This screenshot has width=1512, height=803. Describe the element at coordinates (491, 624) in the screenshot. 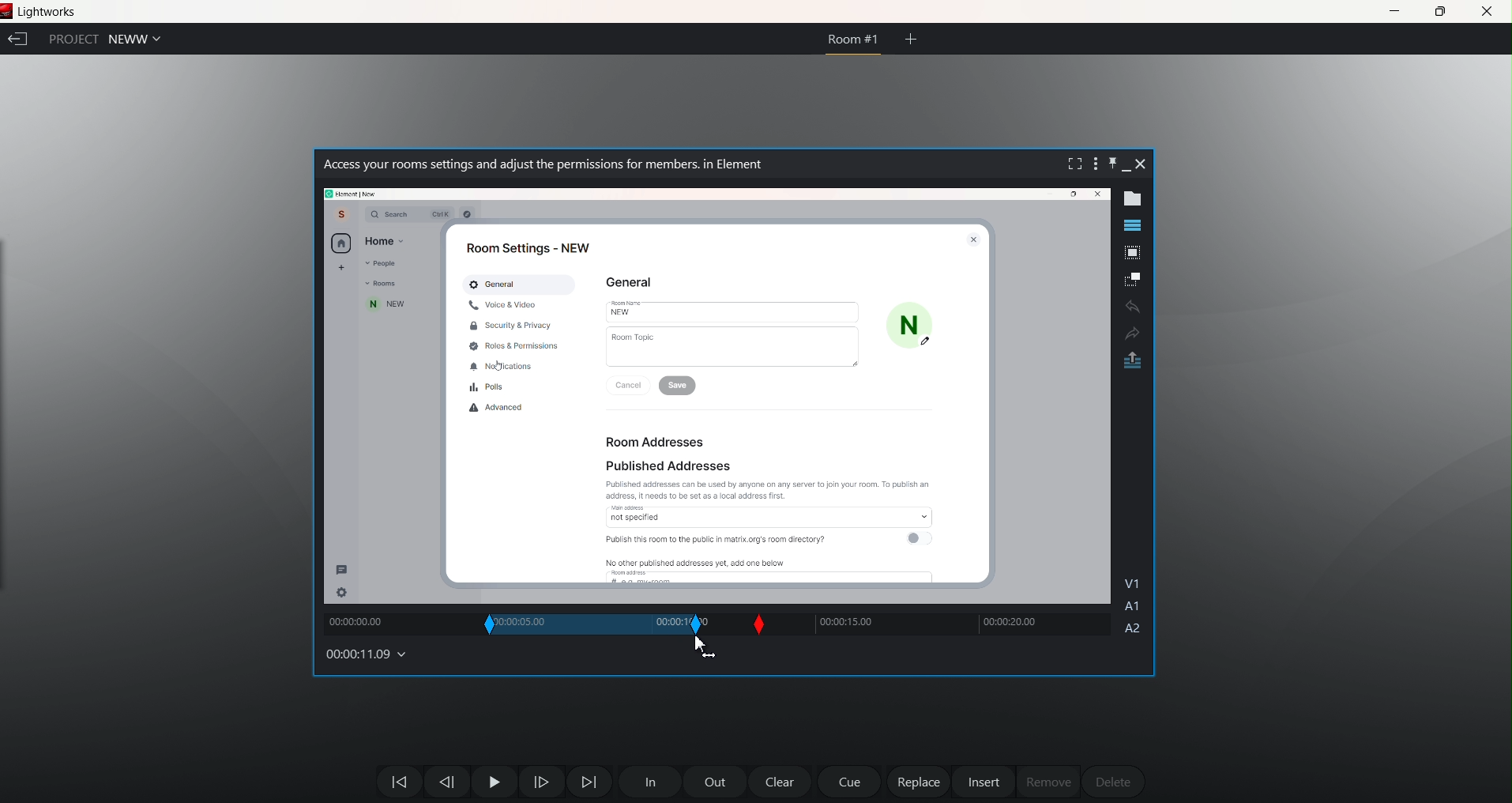

I see `In slip` at that location.